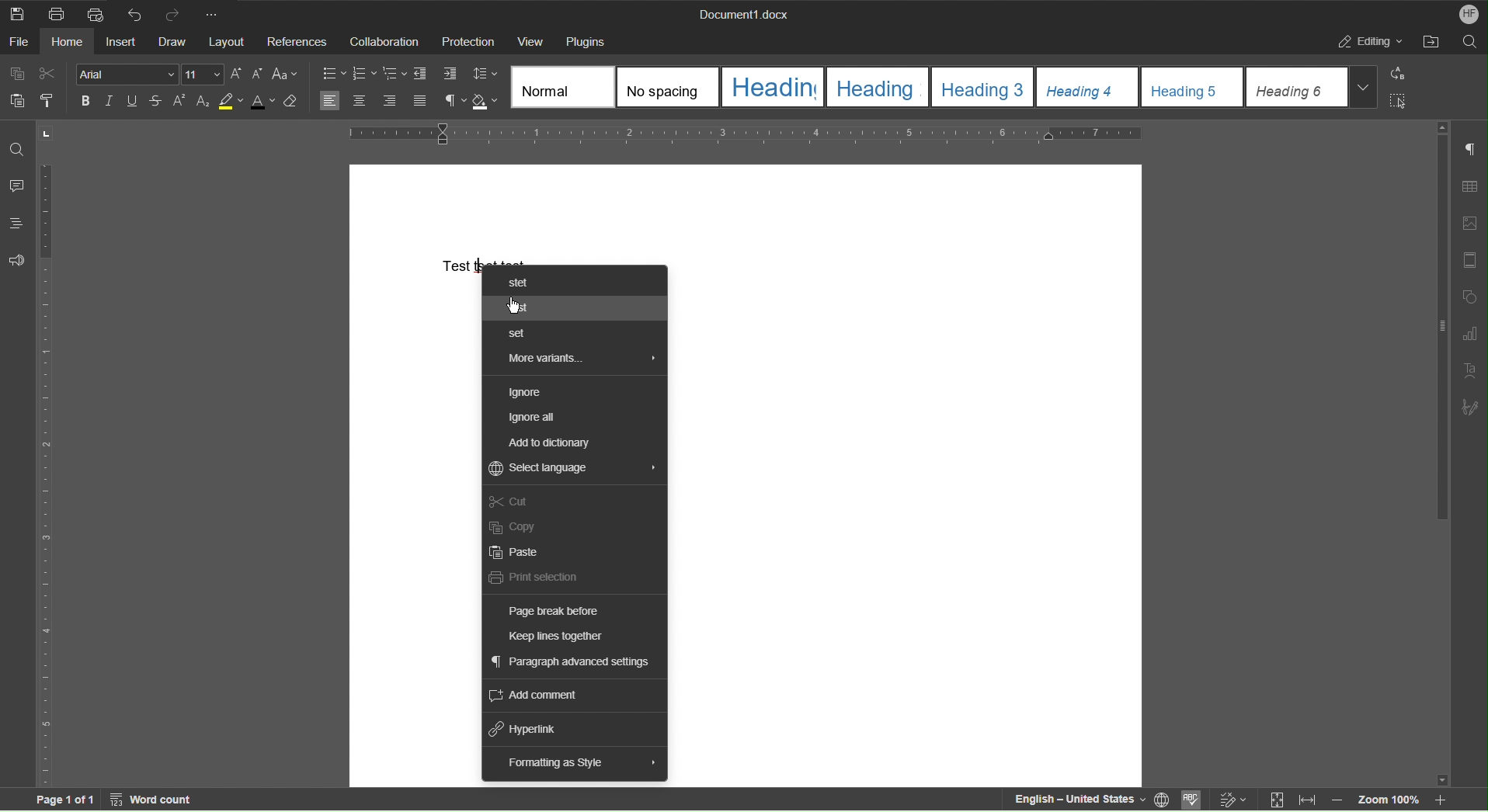 The image size is (1488, 812). Describe the element at coordinates (45, 473) in the screenshot. I see `Vertical Ruler` at that location.